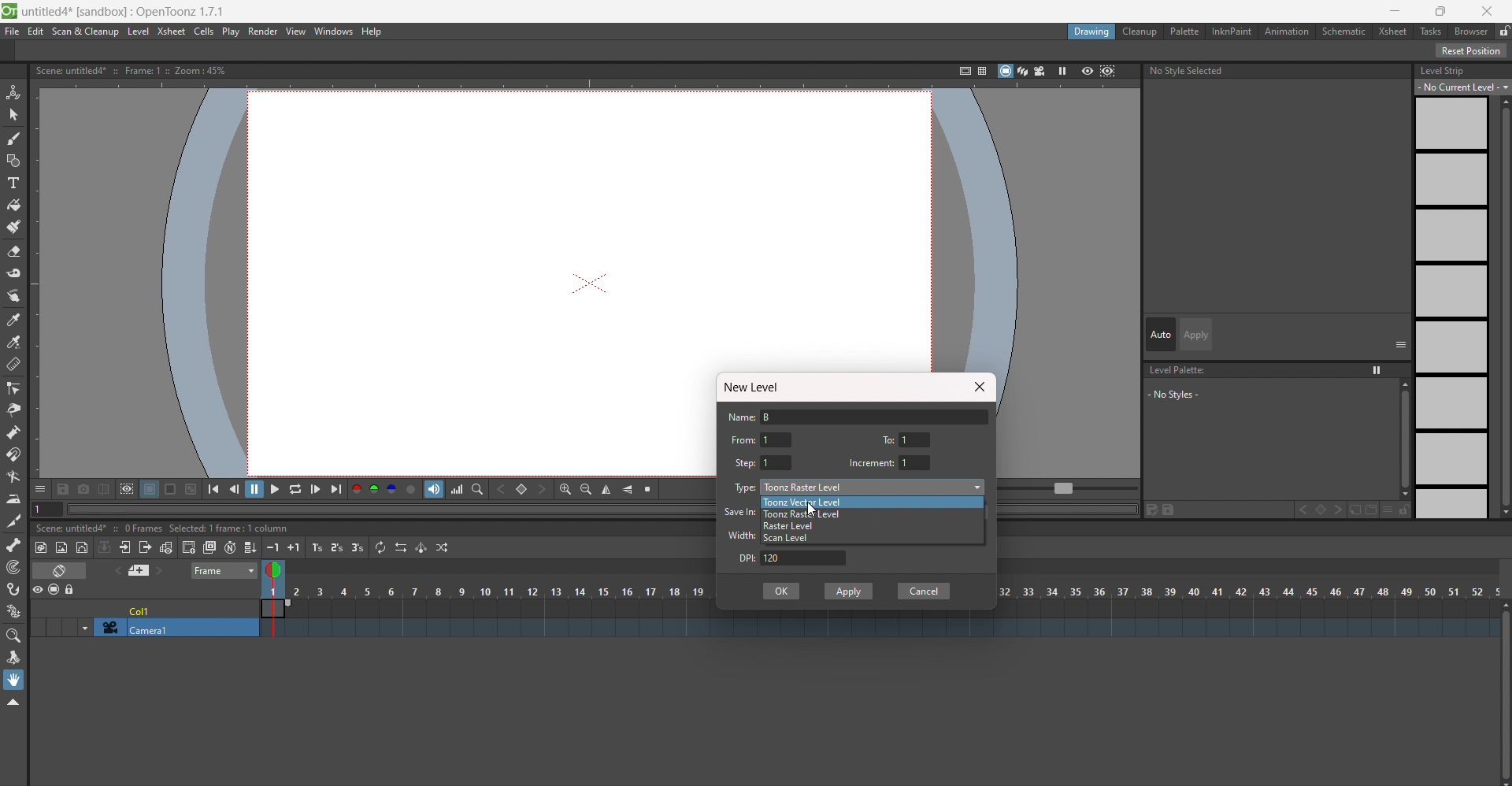 This screenshot has width=1512, height=786. I want to click on tool, so click(172, 489).